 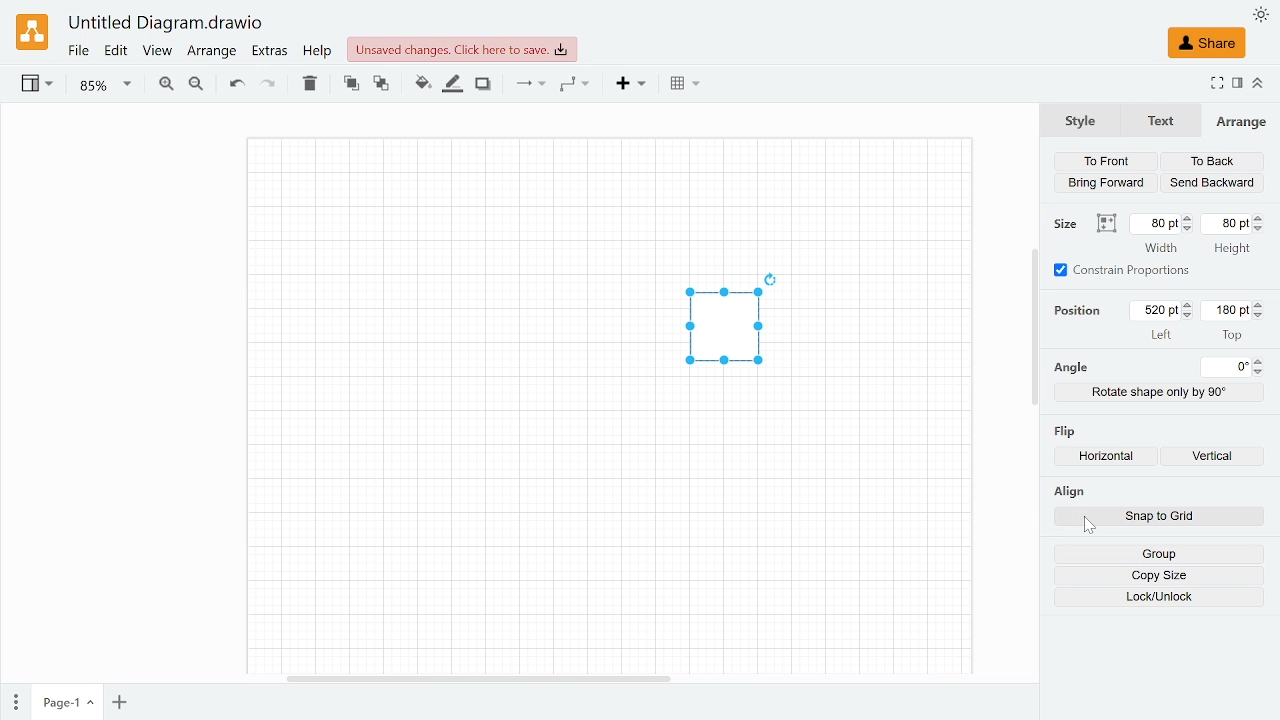 I want to click on Increase left, so click(x=1190, y=305).